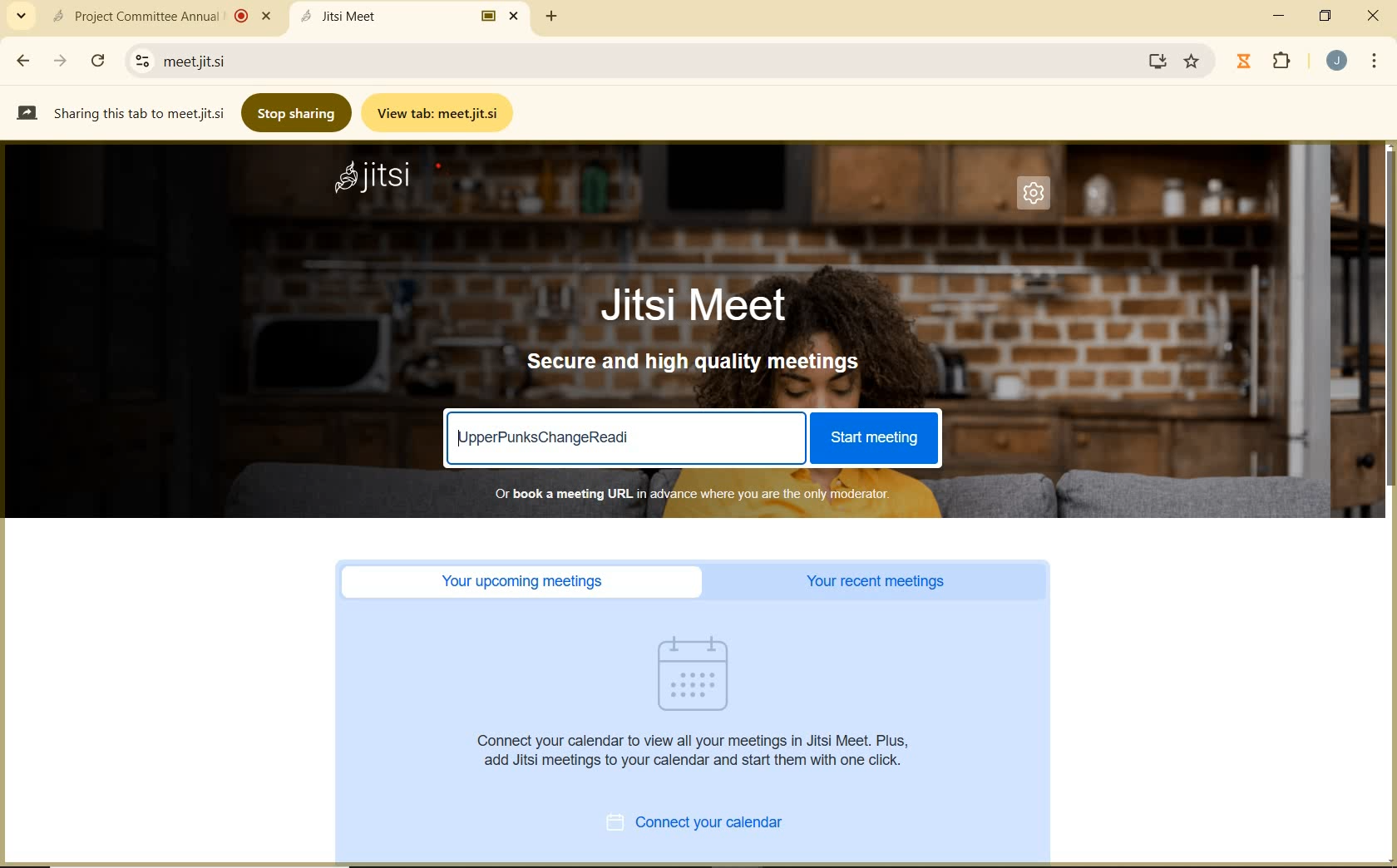 The height and width of the screenshot is (868, 1397). What do you see at coordinates (1039, 198) in the screenshot?
I see `SETTINGS` at bounding box center [1039, 198].